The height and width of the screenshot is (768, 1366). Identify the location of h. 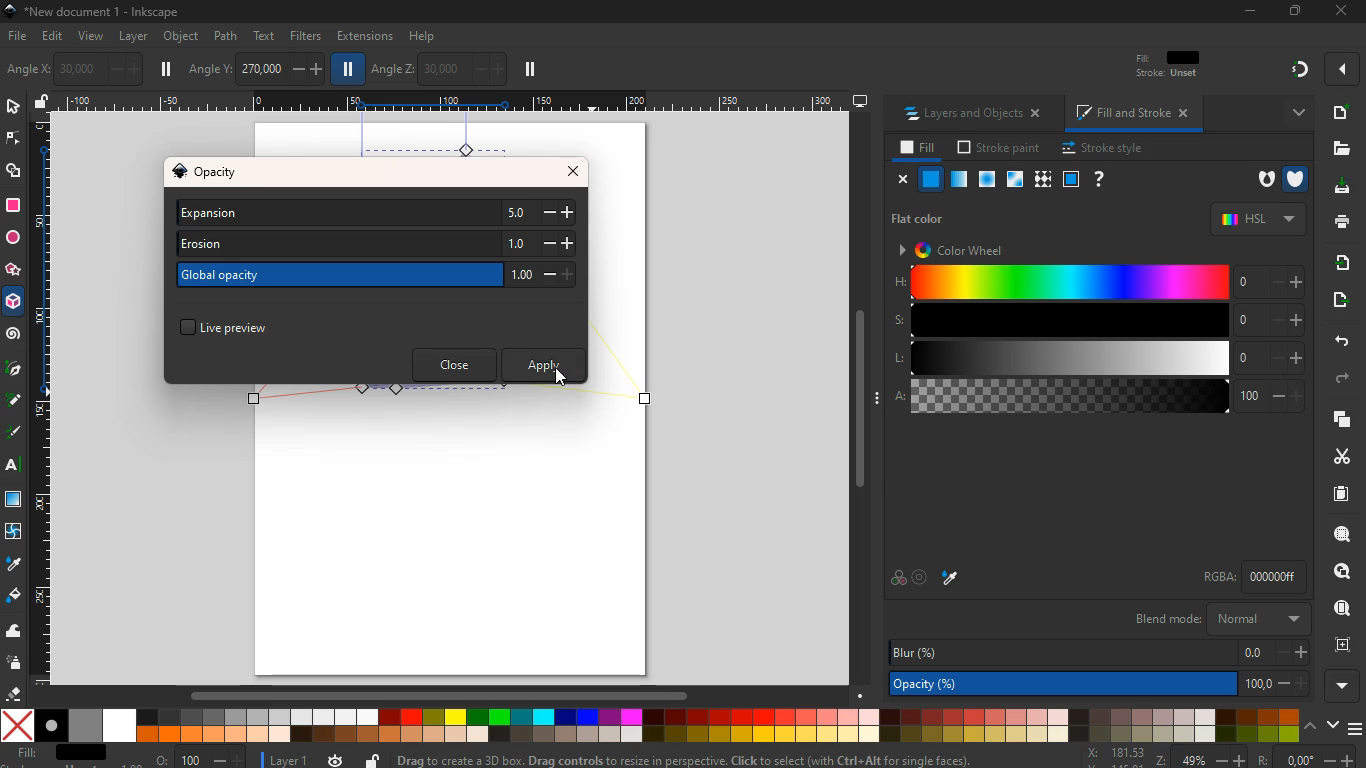
(1099, 283).